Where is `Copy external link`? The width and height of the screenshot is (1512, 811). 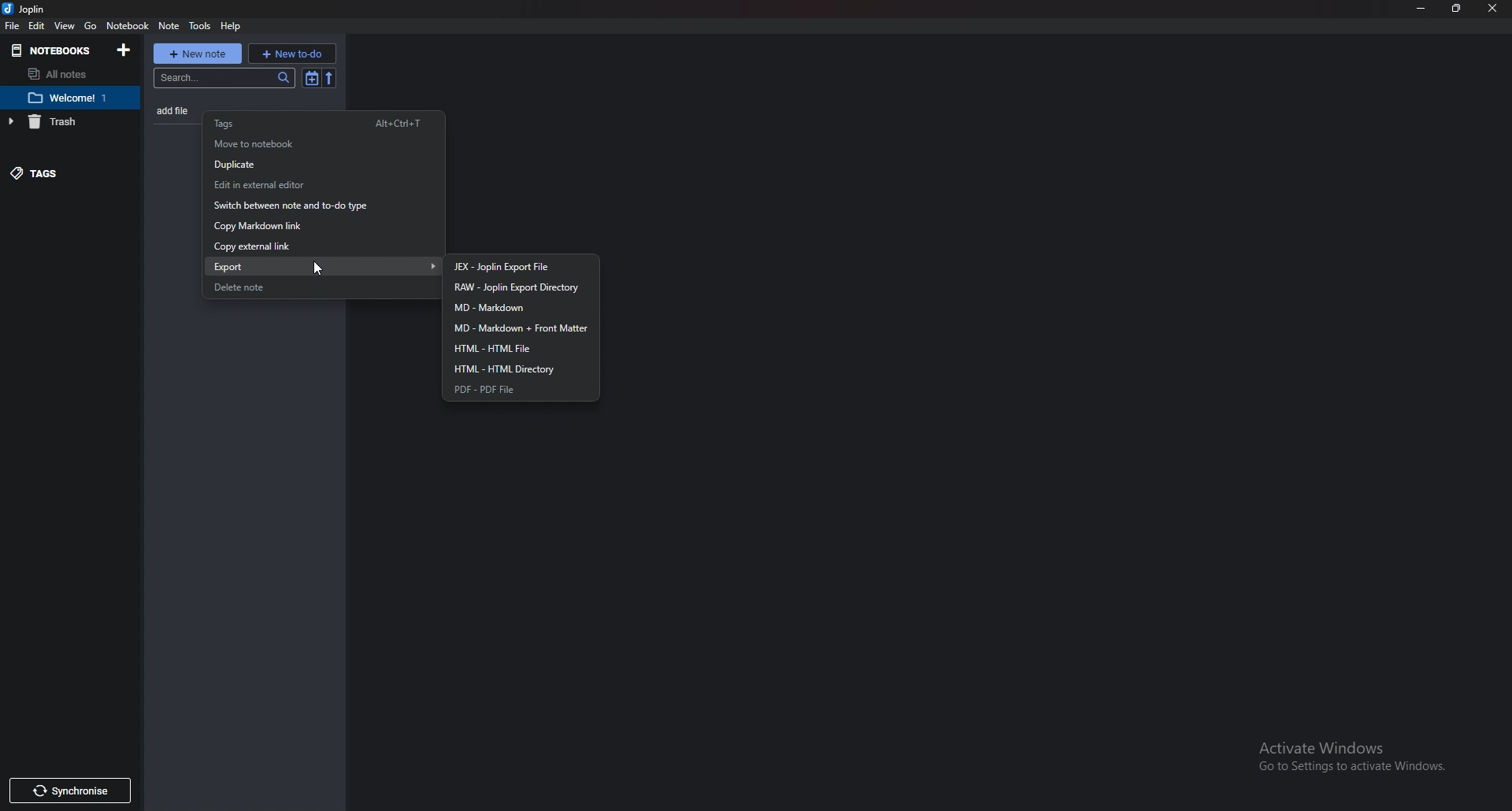
Copy external link is located at coordinates (305, 247).